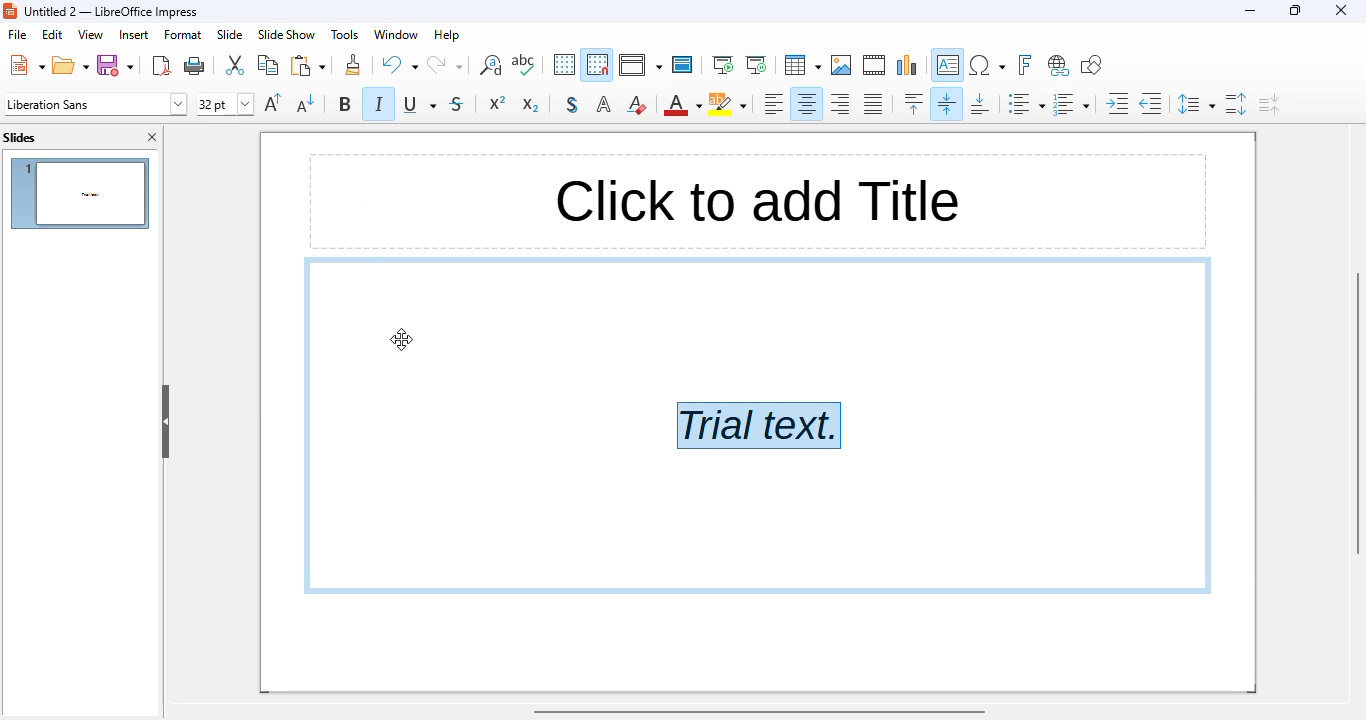 The width and height of the screenshot is (1366, 720). Describe the element at coordinates (1071, 104) in the screenshot. I see `toggle ordered list` at that location.